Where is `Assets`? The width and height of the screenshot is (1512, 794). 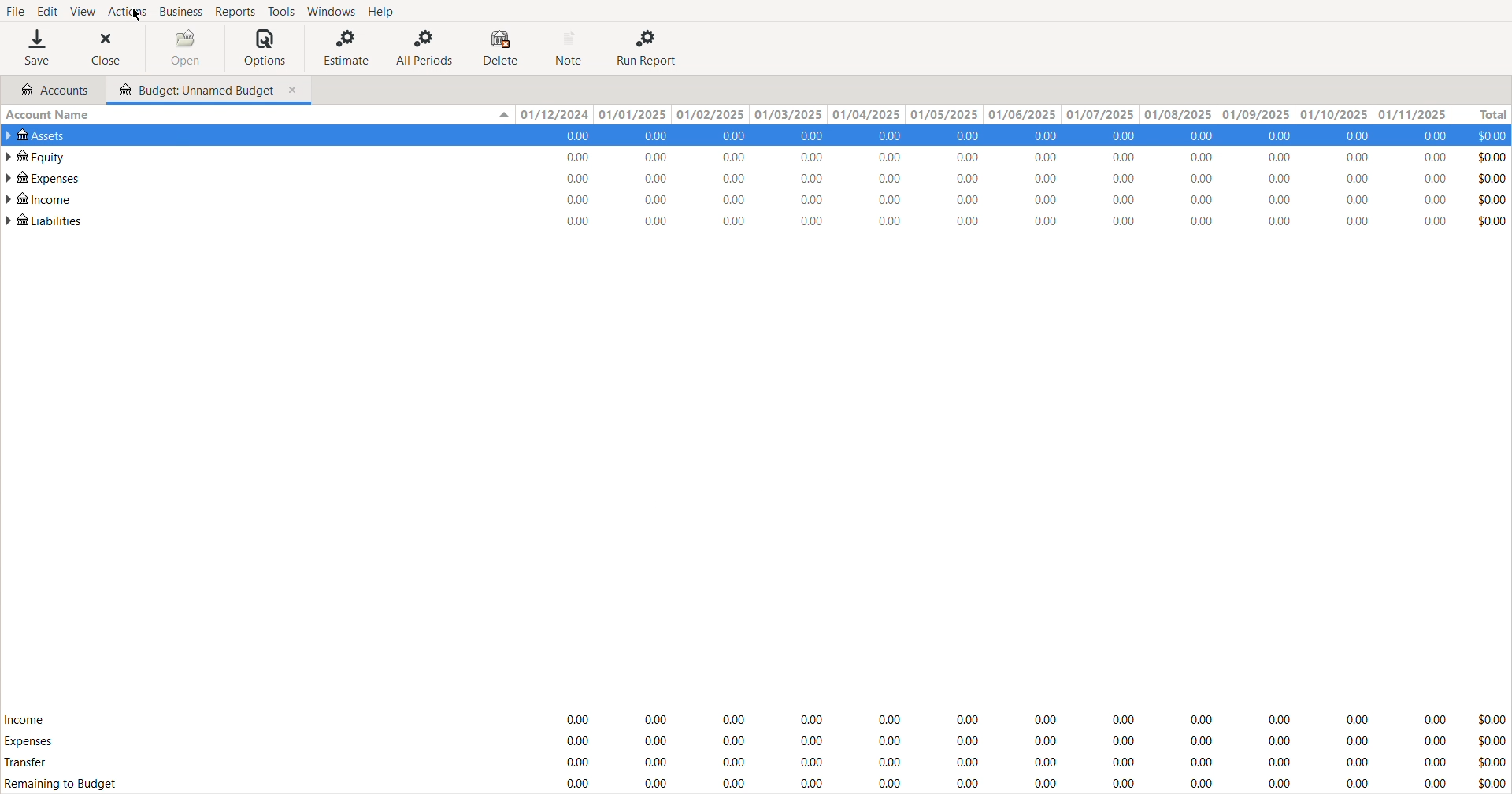
Assets is located at coordinates (41, 135).